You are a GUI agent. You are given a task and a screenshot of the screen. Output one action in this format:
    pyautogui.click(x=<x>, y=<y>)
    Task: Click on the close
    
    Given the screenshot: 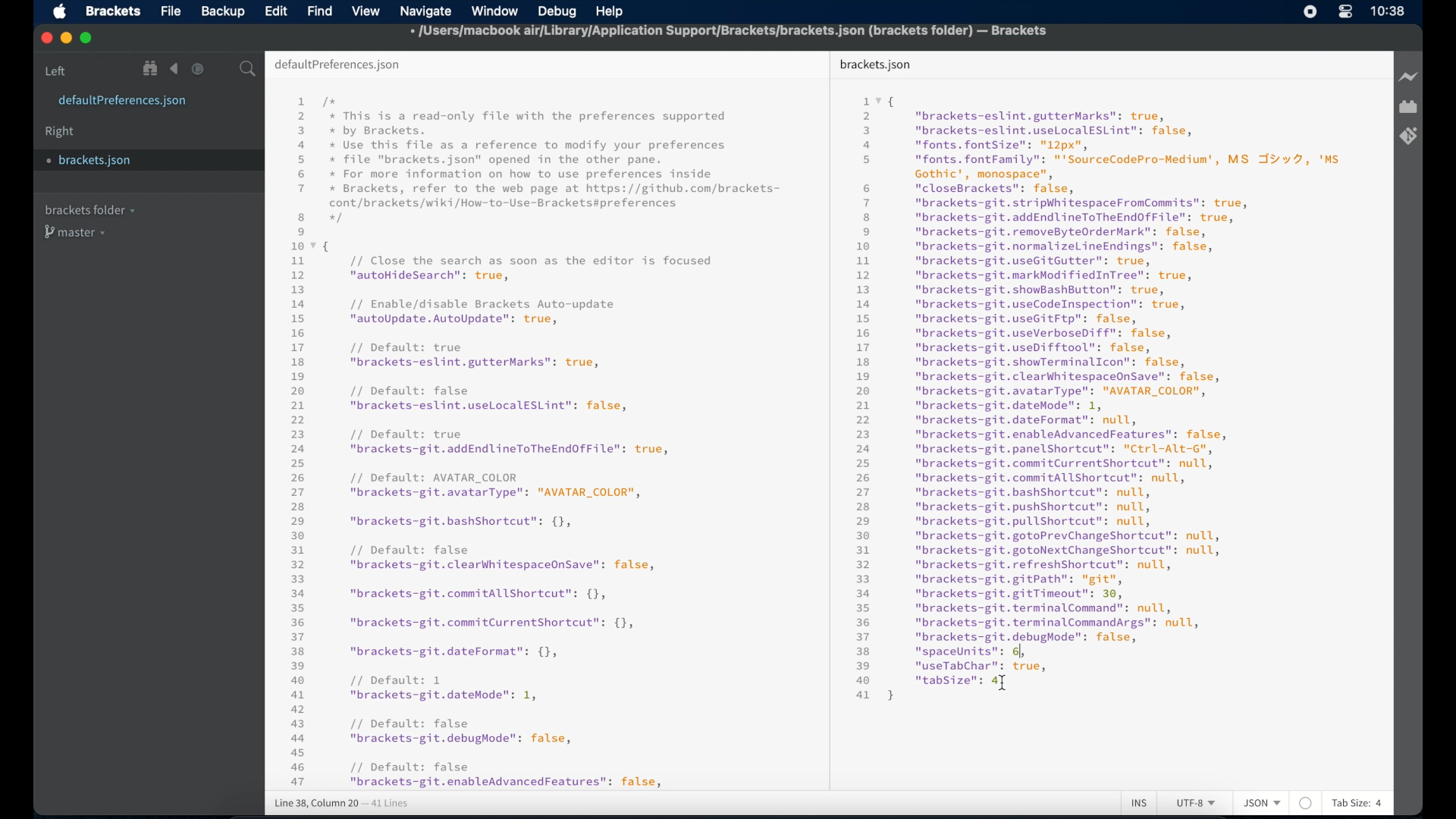 What is the action you would take?
    pyautogui.click(x=47, y=39)
    